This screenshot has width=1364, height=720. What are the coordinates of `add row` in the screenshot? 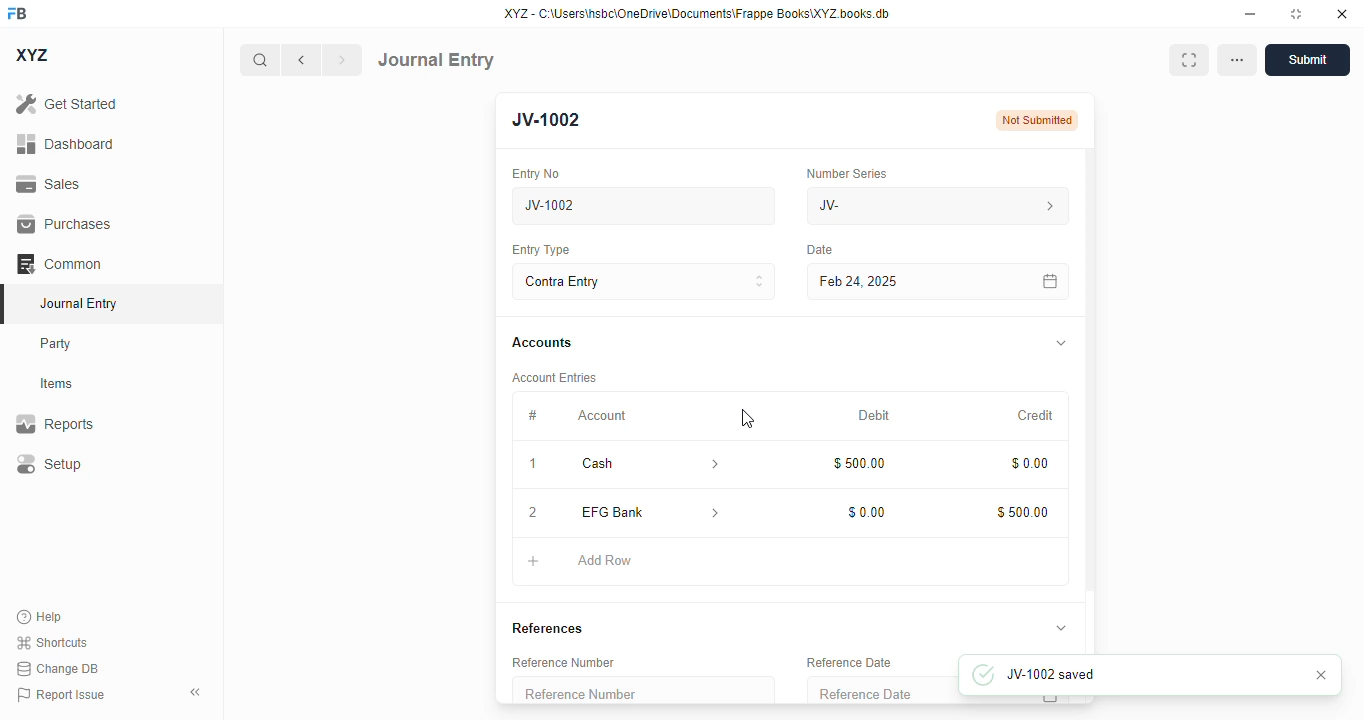 It's located at (605, 561).